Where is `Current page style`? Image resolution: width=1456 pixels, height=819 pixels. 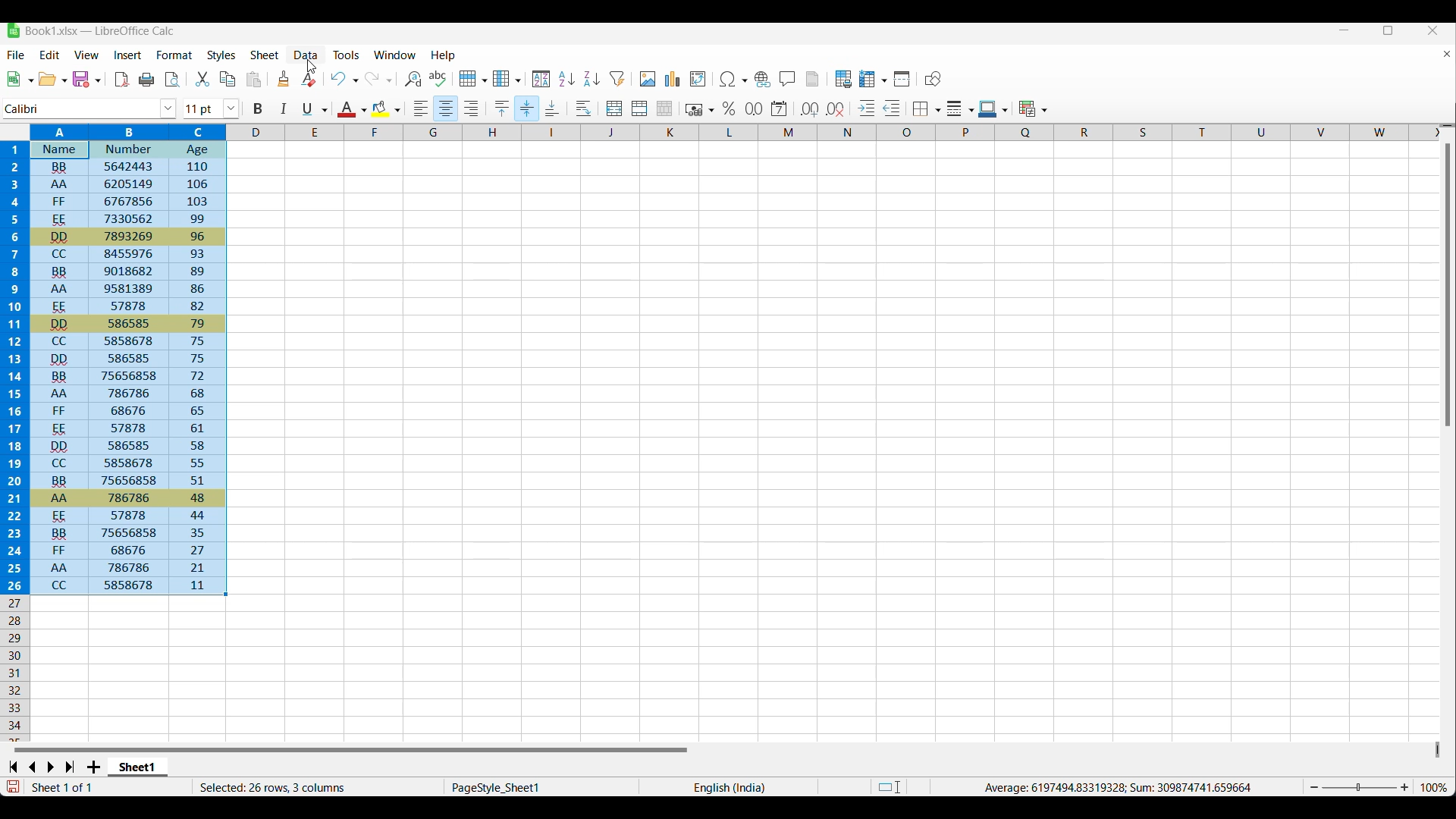
Current page style is located at coordinates (540, 787).